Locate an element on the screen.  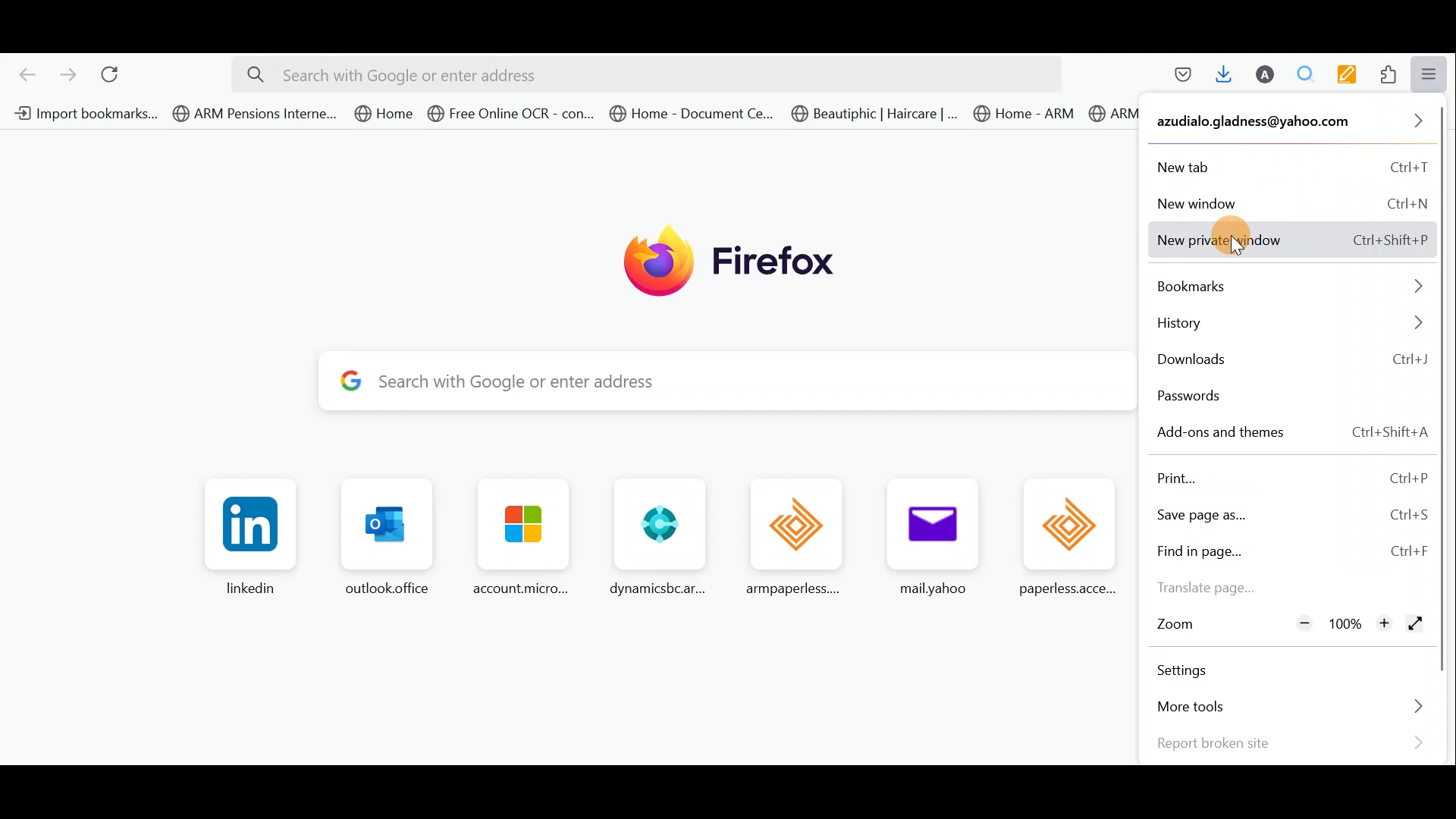
google logo is located at coordinates (347, 383).